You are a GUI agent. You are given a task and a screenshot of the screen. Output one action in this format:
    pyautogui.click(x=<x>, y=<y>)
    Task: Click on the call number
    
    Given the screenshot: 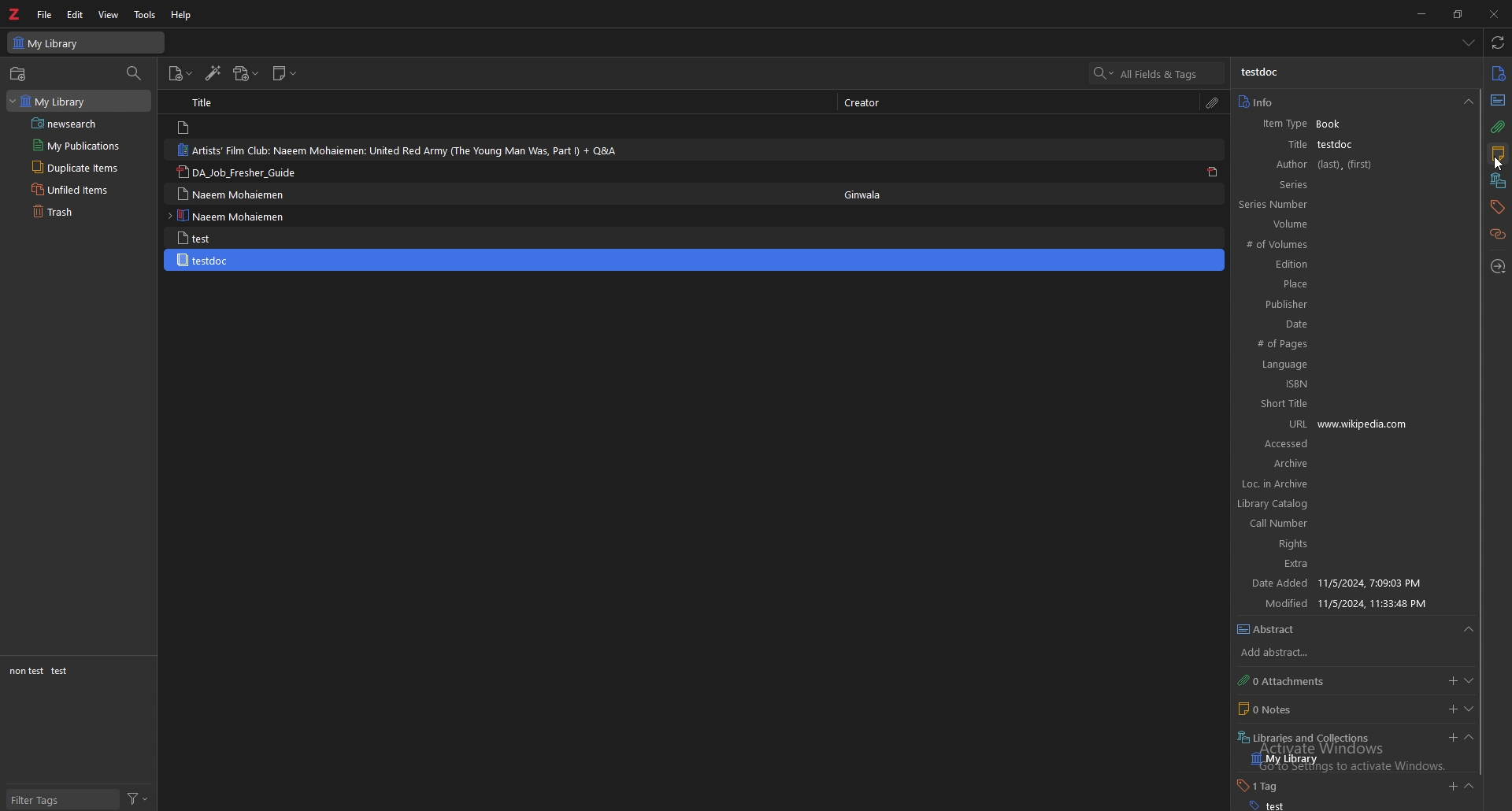 What is the action you would take?
    pyautogui.click(x=1343, y=526)
    